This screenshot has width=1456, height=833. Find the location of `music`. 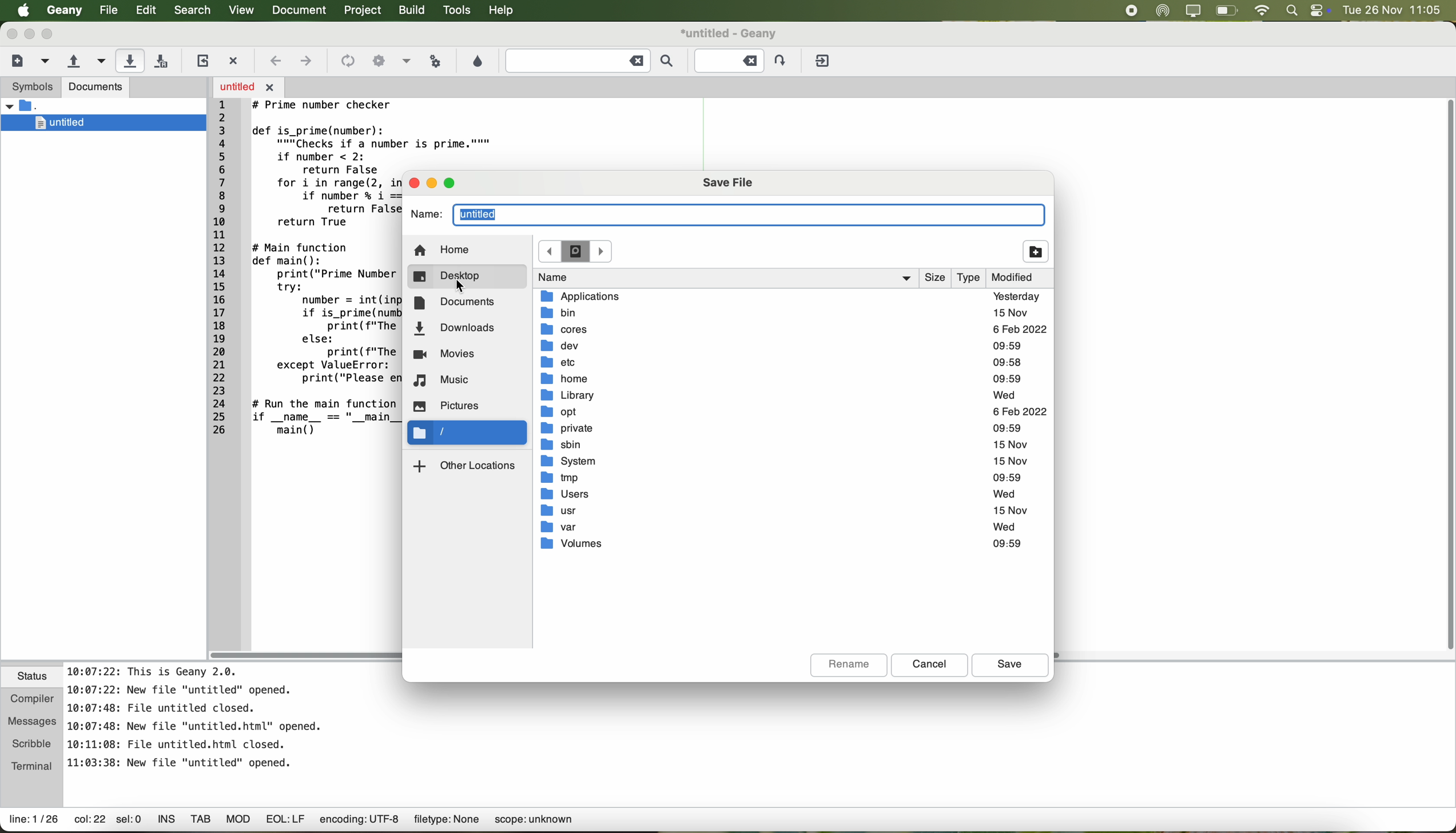

music is located at coordinates (443, 381).